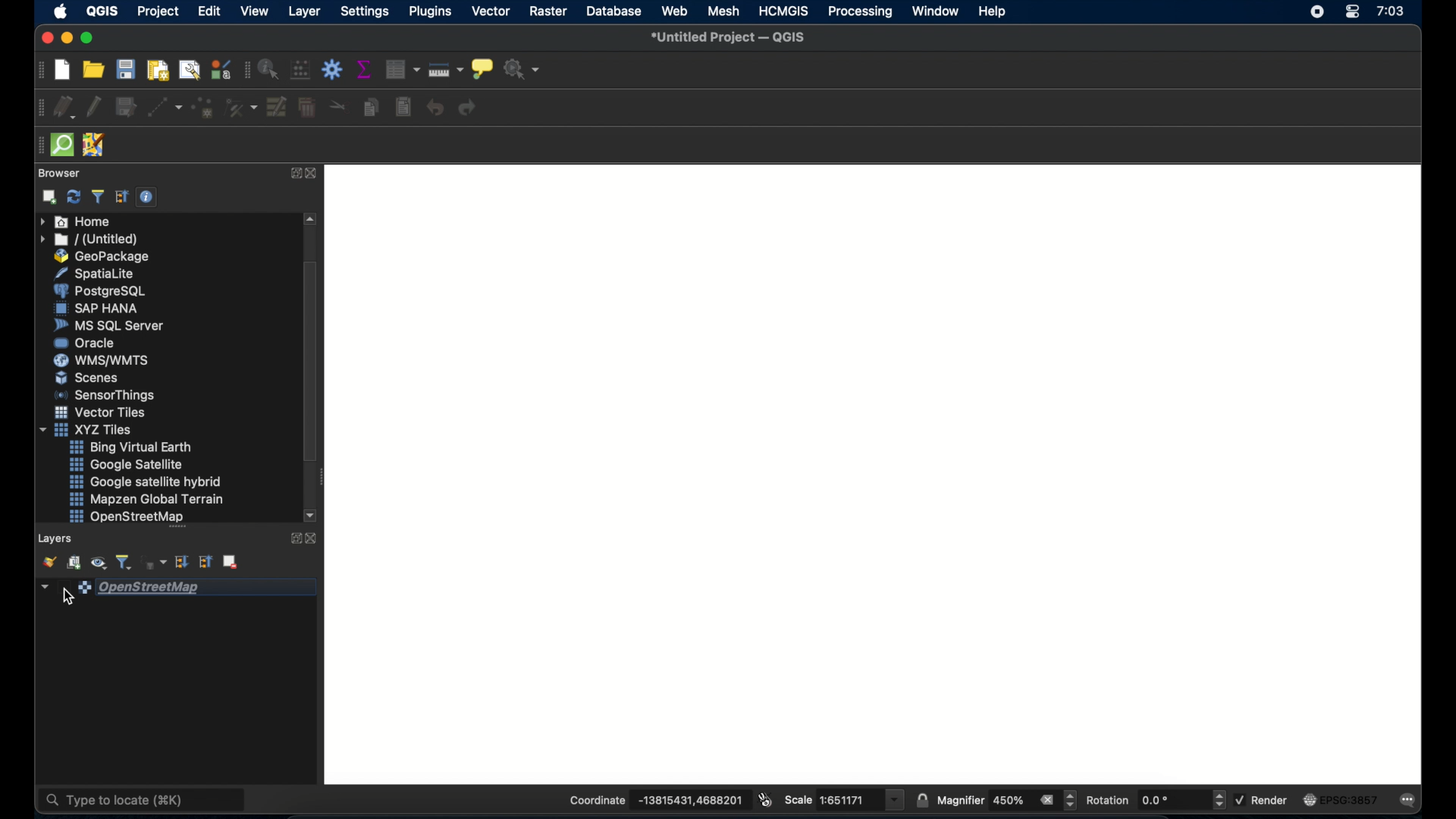 The image size is (1456, 819). I want to click on geopackage, so click(101, 255).